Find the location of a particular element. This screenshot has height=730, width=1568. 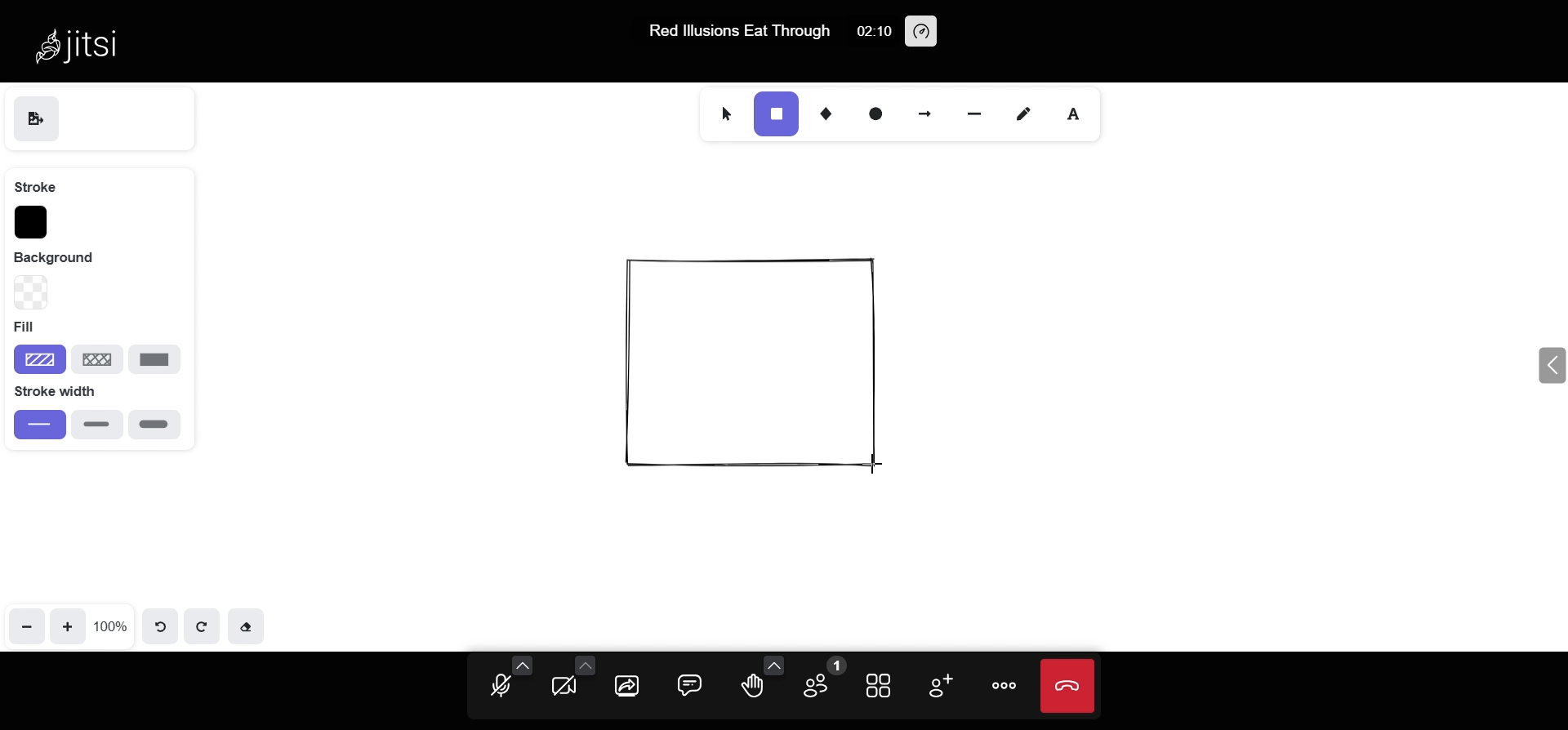

tile view is located at coordinates (881, 684).